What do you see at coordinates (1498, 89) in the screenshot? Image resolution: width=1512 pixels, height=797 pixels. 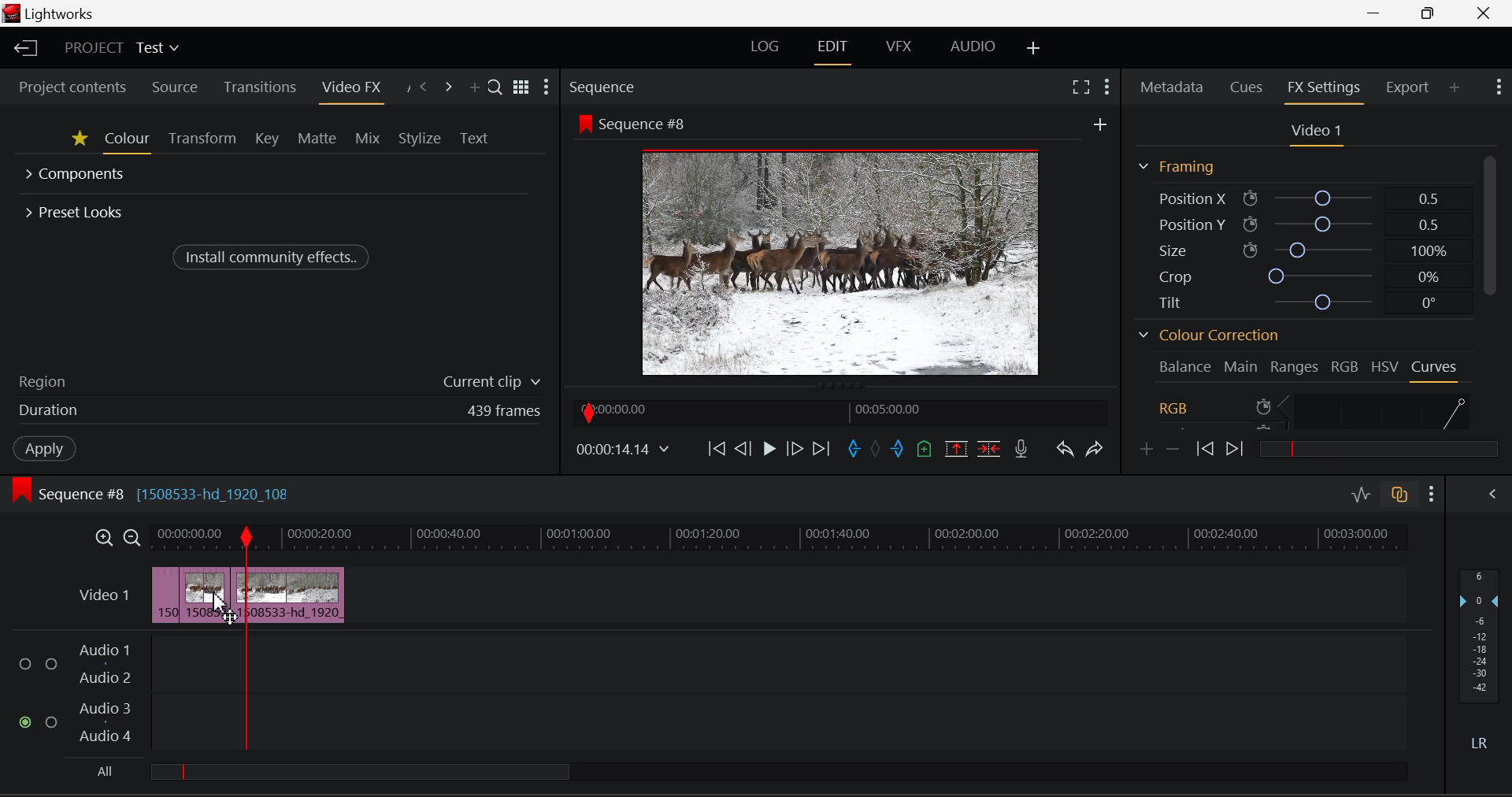 I see `Show Settings` at bounding box center [1498, 89].